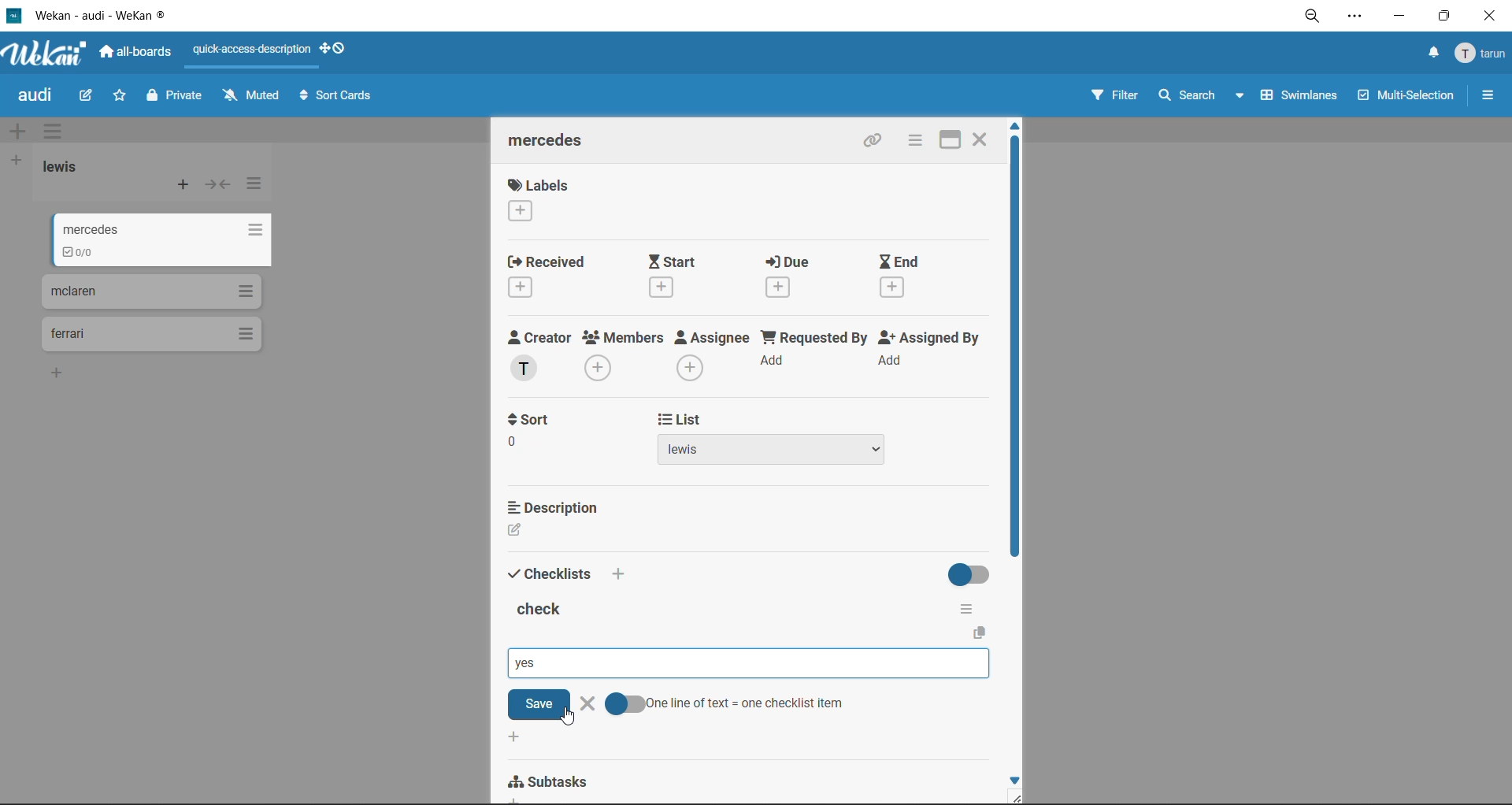 This screenshot has width=1512, height=805. I want to click on add swimlane, so click(17, 132).